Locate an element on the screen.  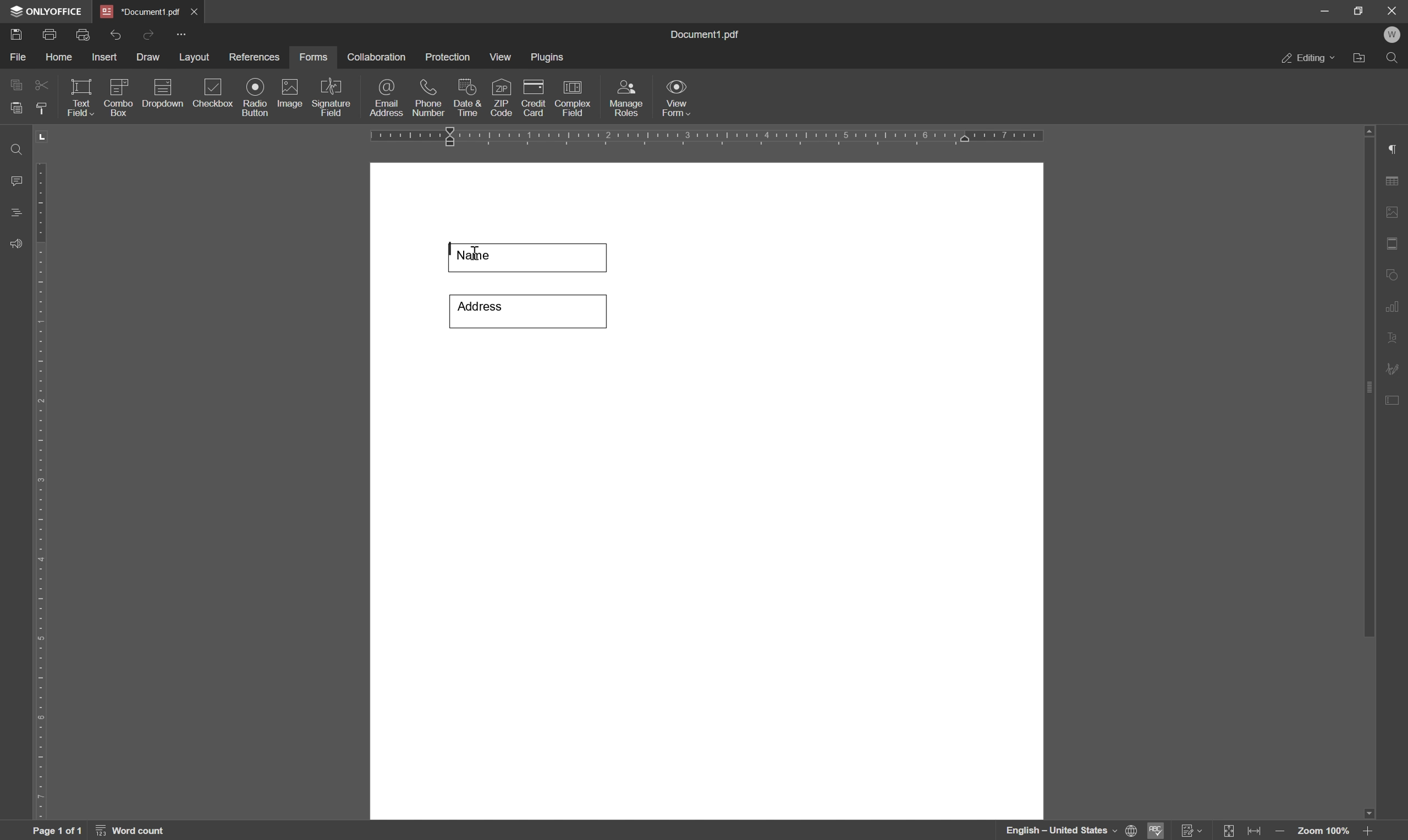
chart settings is located at coordinates (1394, 308).